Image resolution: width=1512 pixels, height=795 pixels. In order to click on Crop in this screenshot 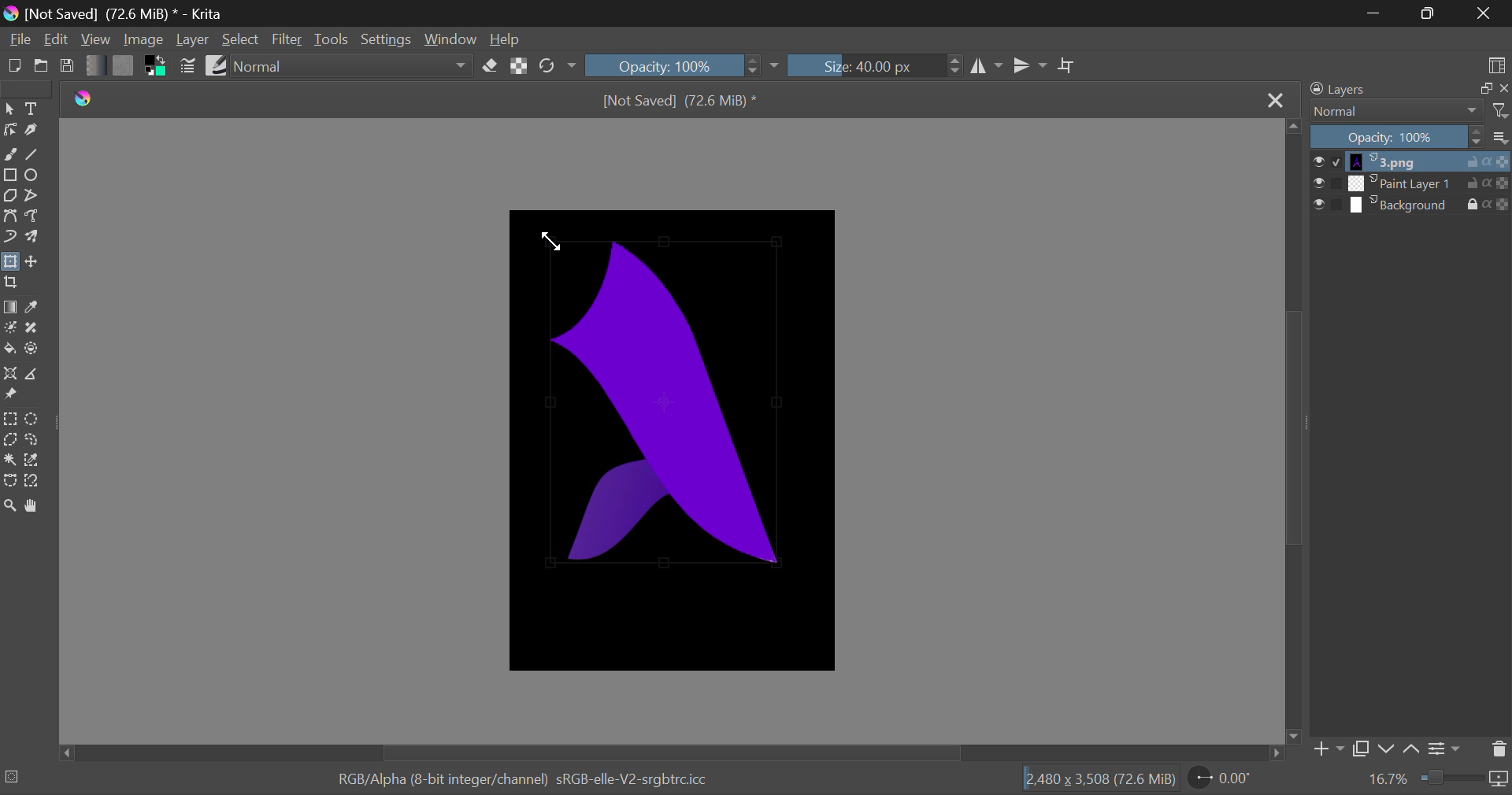, I will do `click(1069, 67)`.